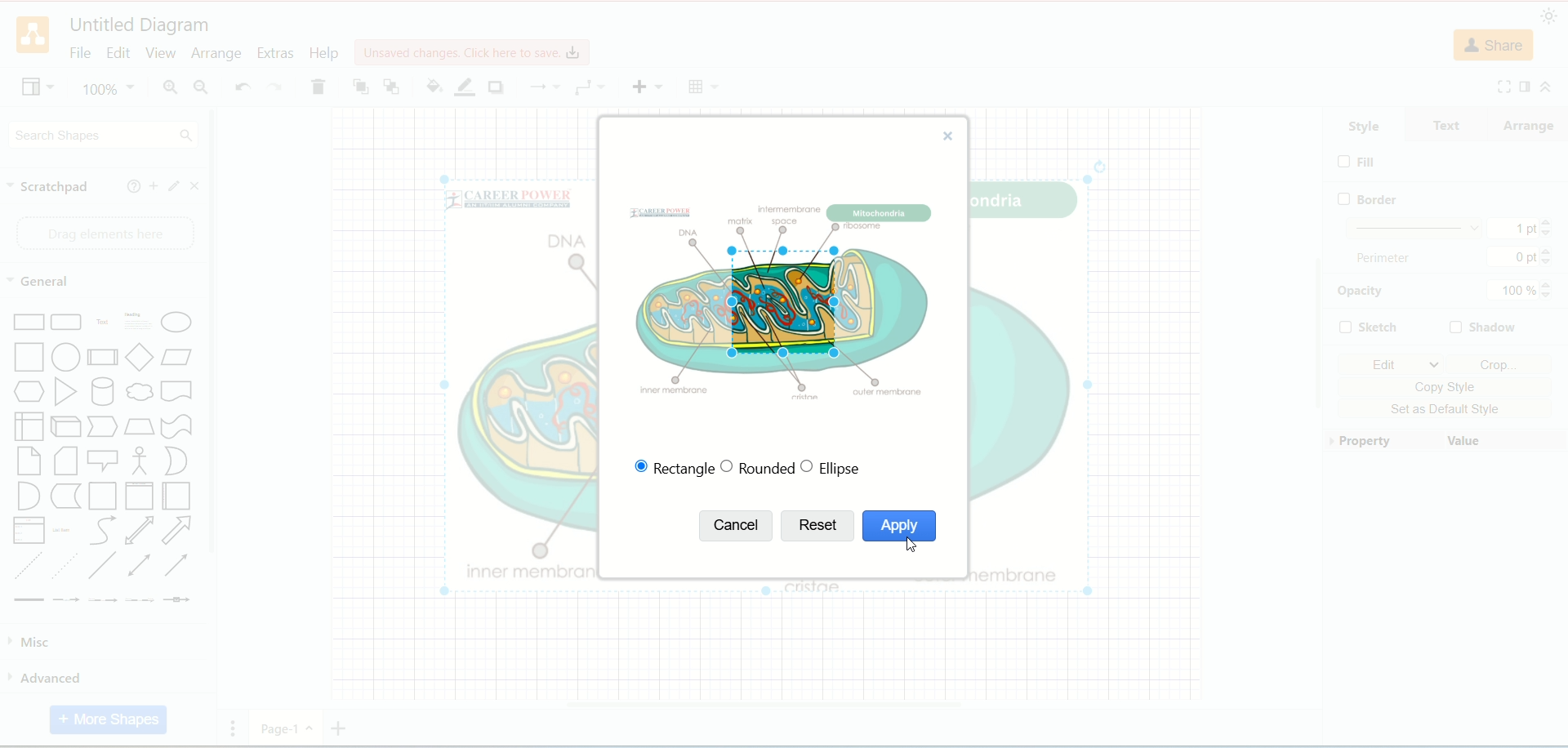  Describe the element at coordinates (142, 496) in the screenshot. I see `Vertical Container` at that location.